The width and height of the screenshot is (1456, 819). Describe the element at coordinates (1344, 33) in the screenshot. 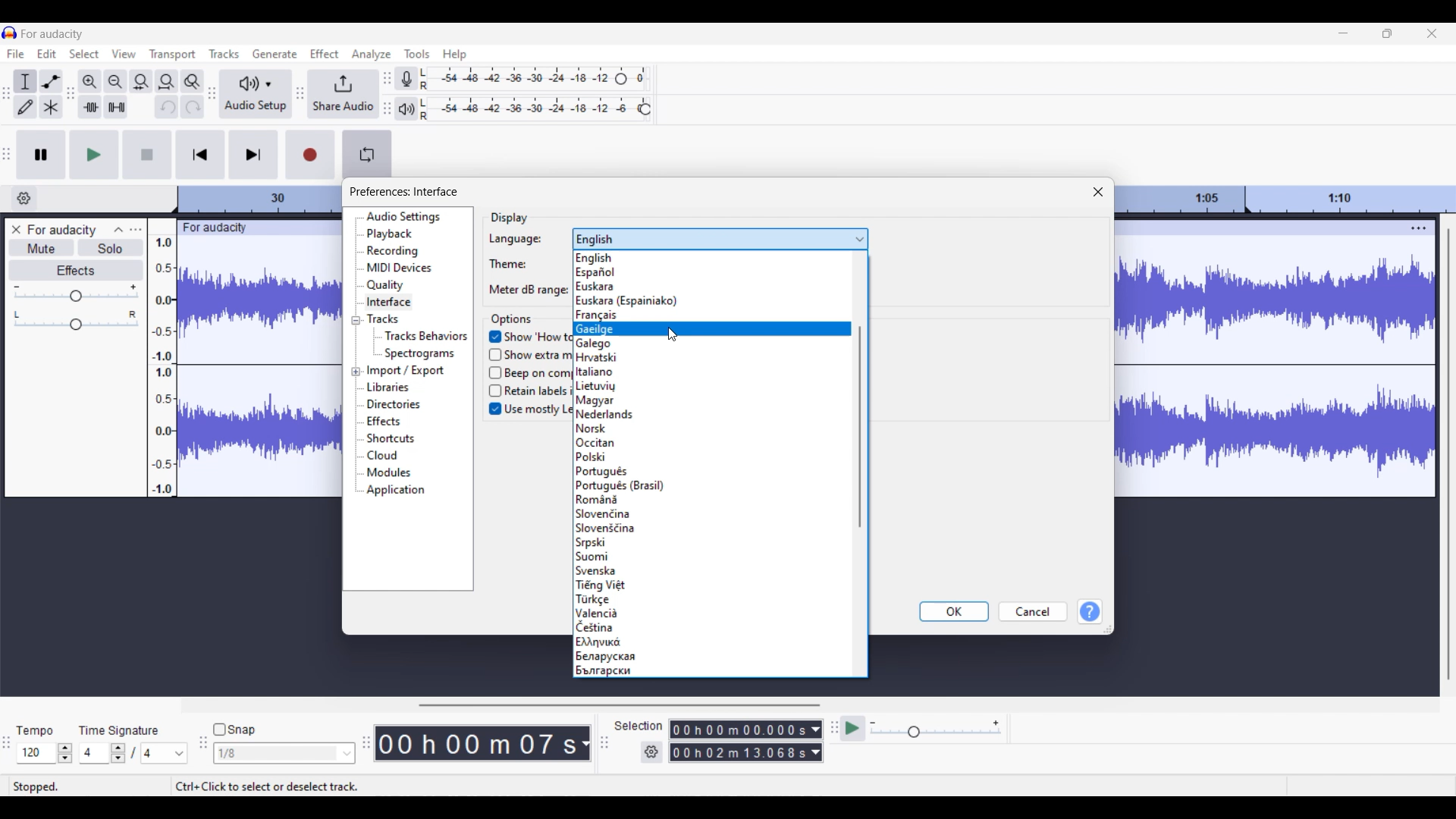

I see `Minimize` at that location.